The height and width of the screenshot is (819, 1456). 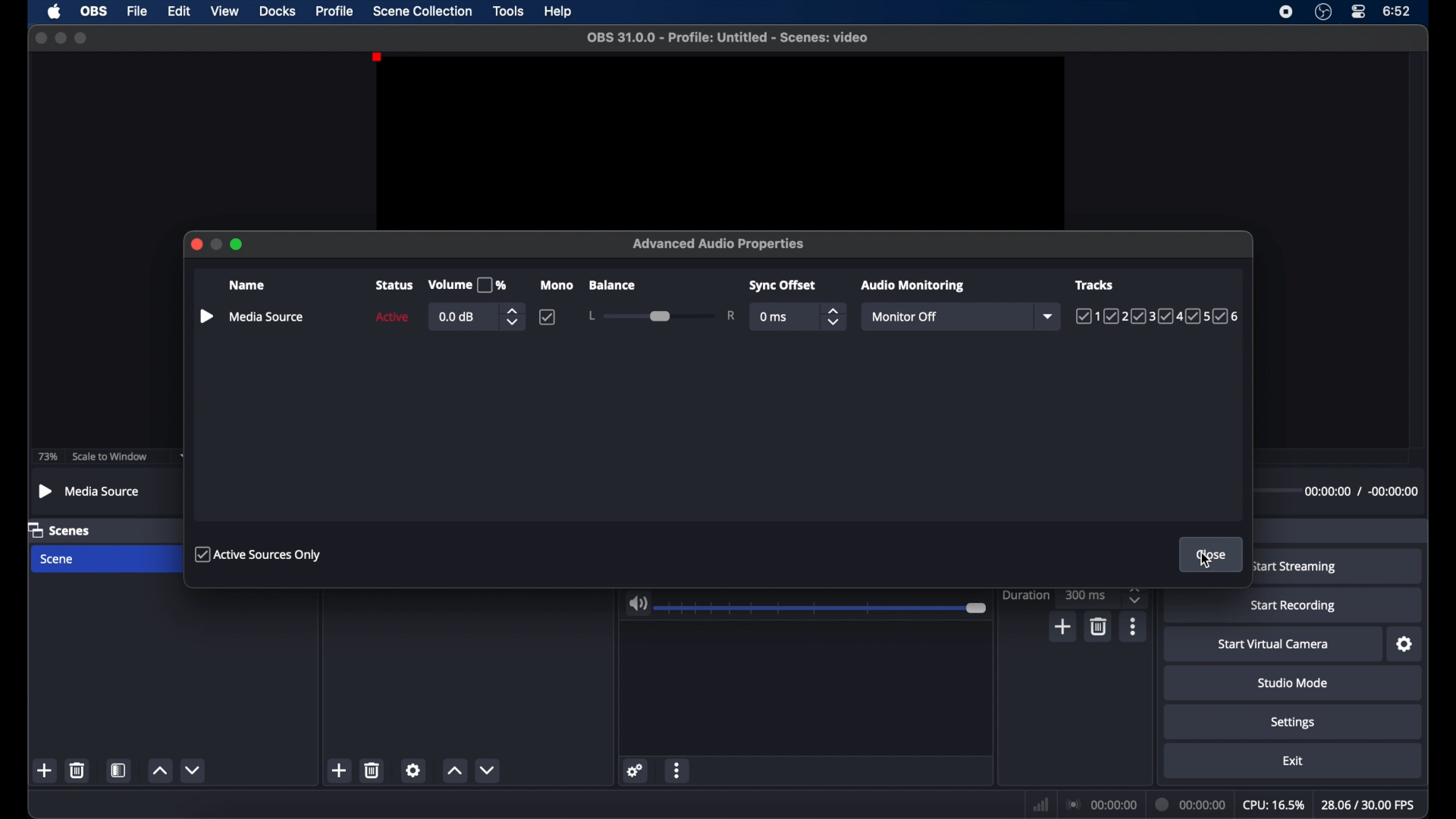 What do you see at coordinates (1294, 761) in the screenshot?
I see `exit` at bounding box center [1294, 761].